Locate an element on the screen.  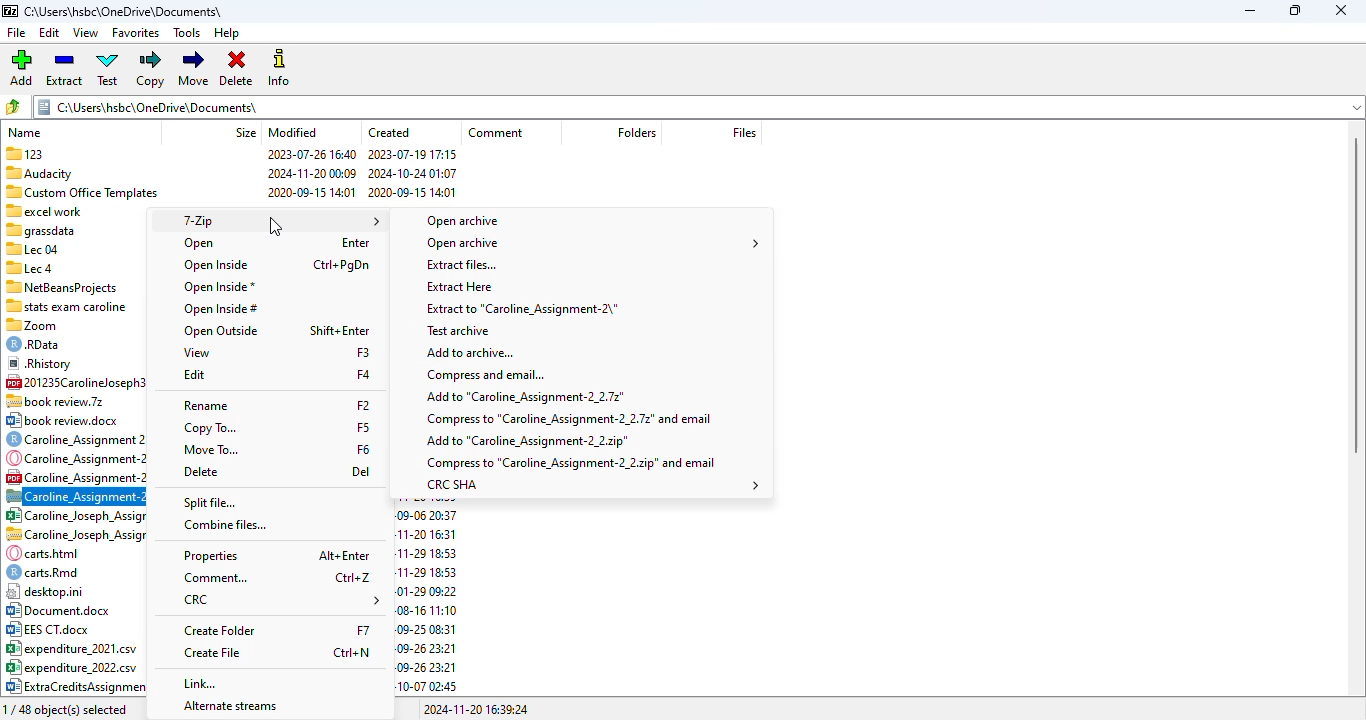
open archive is located at coordinates (463, 221).